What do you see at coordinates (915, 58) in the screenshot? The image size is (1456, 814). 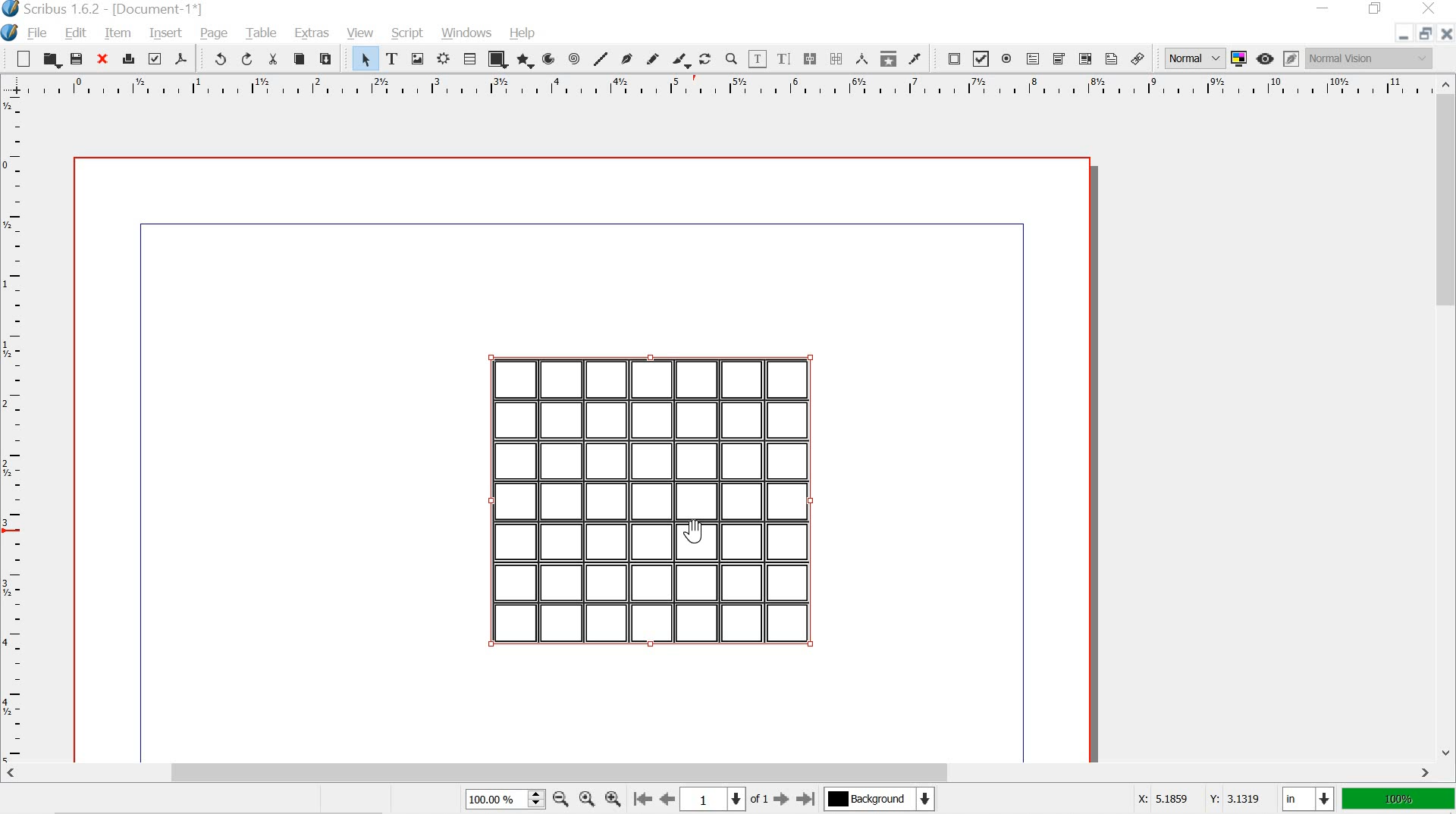 I see `eye dropper` at bounding box center [915, 58].